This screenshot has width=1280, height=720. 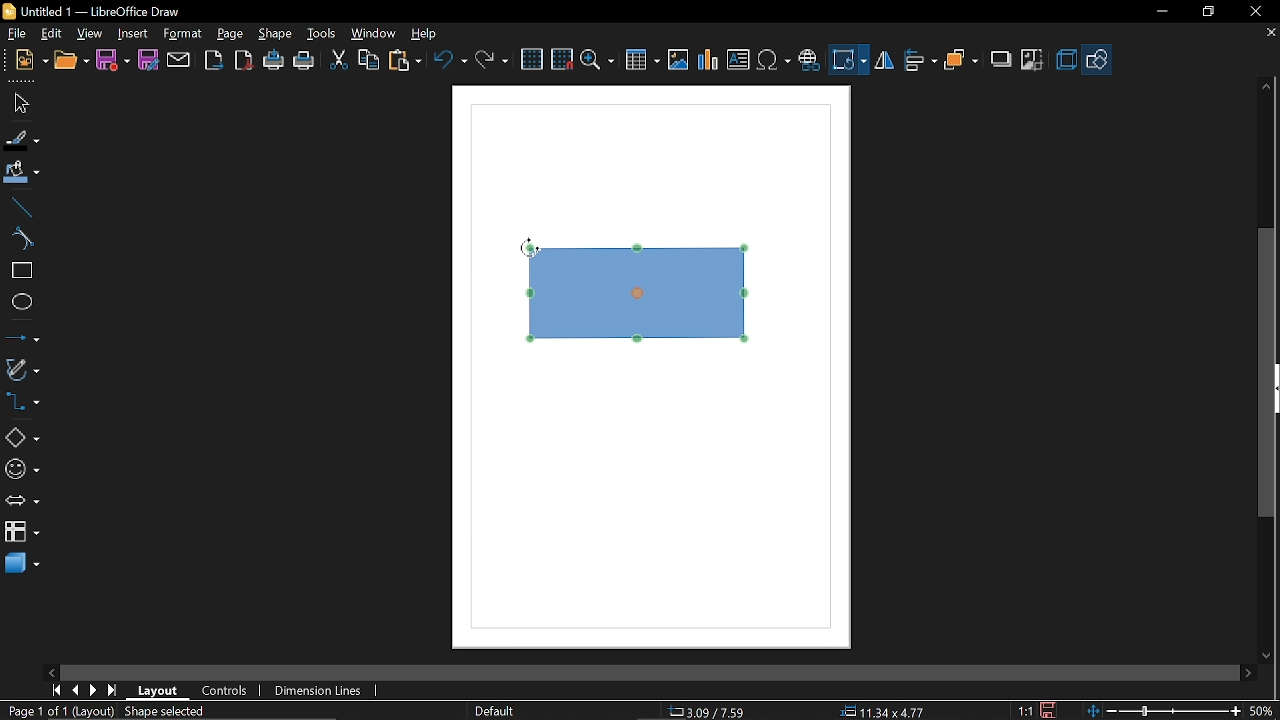 I want to click on 50%, so click(x=1262, y=709).